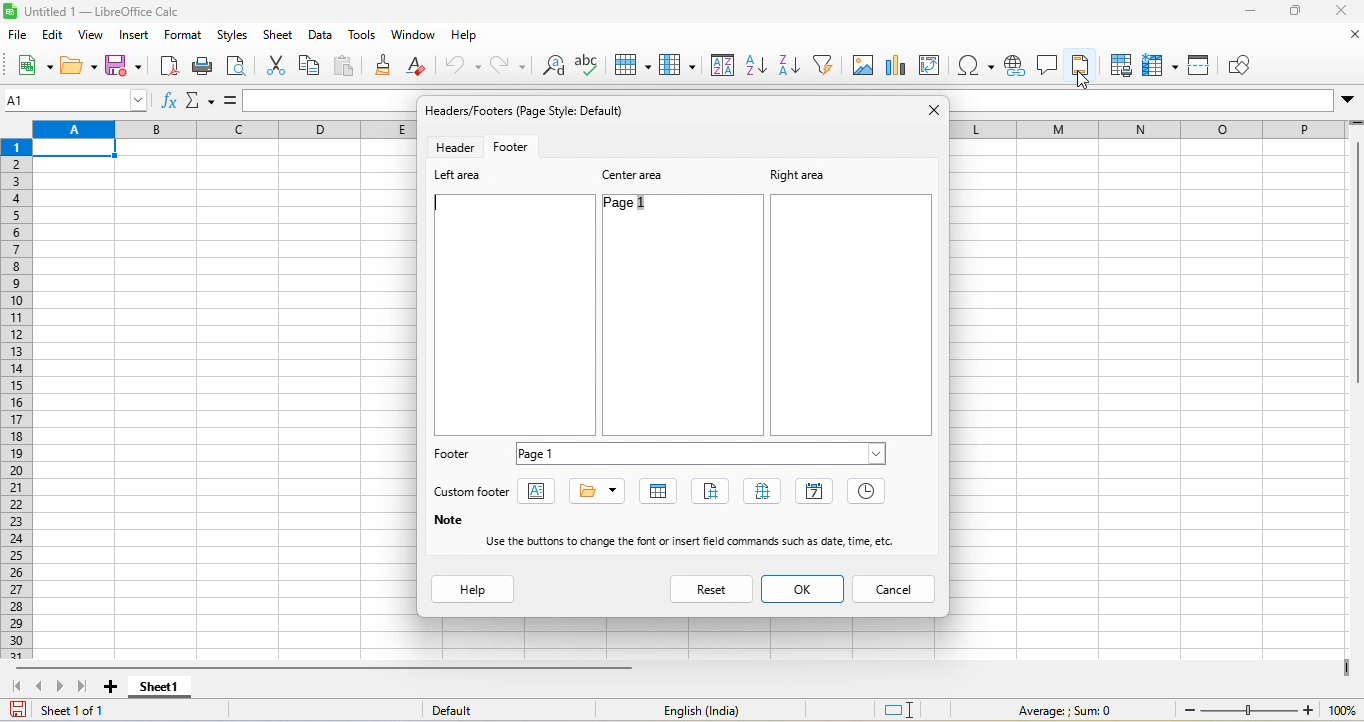 The image size is (1364, 722). Describe the element at coordinates (722, 64) in the screenshot. I see `sort` at that location.